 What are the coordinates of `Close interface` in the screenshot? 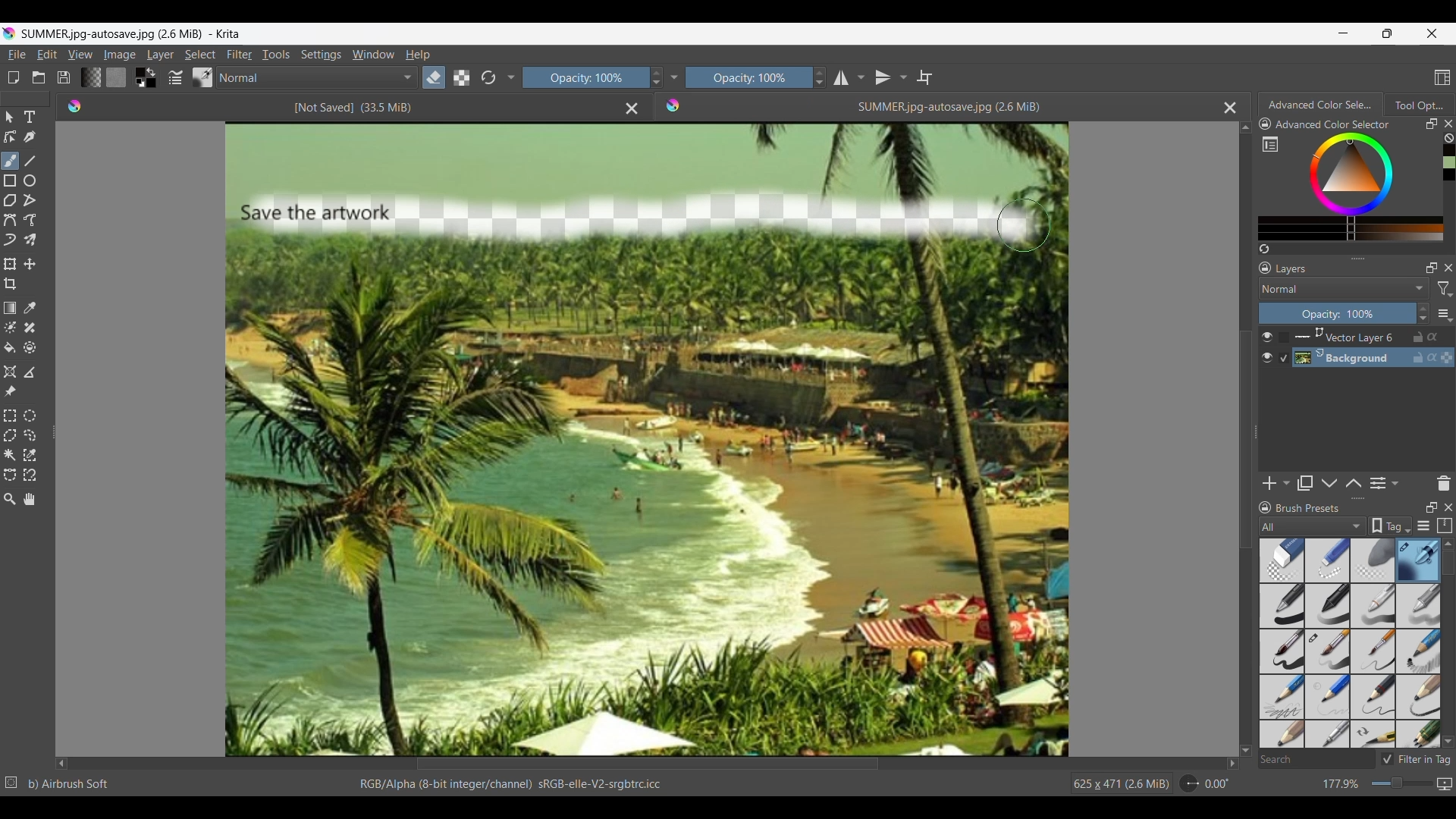 It's located at (1432, 33).